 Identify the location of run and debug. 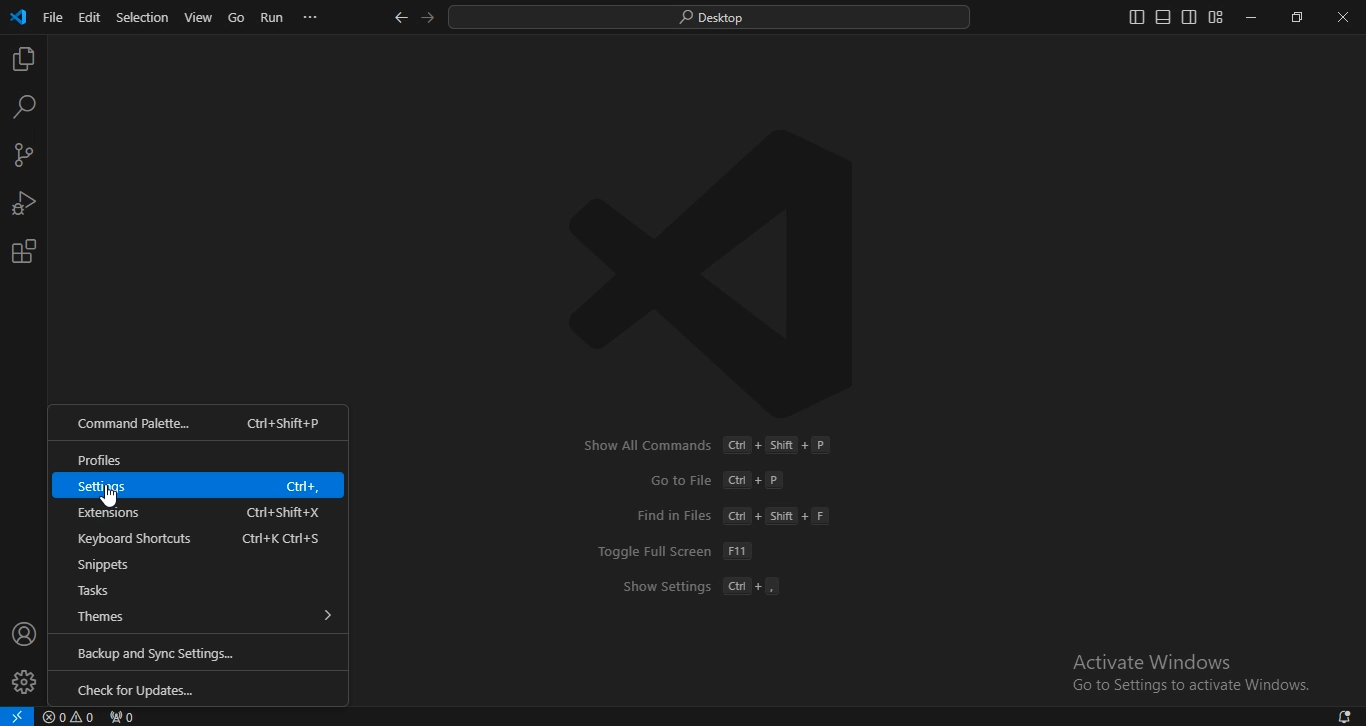
(23, 205).